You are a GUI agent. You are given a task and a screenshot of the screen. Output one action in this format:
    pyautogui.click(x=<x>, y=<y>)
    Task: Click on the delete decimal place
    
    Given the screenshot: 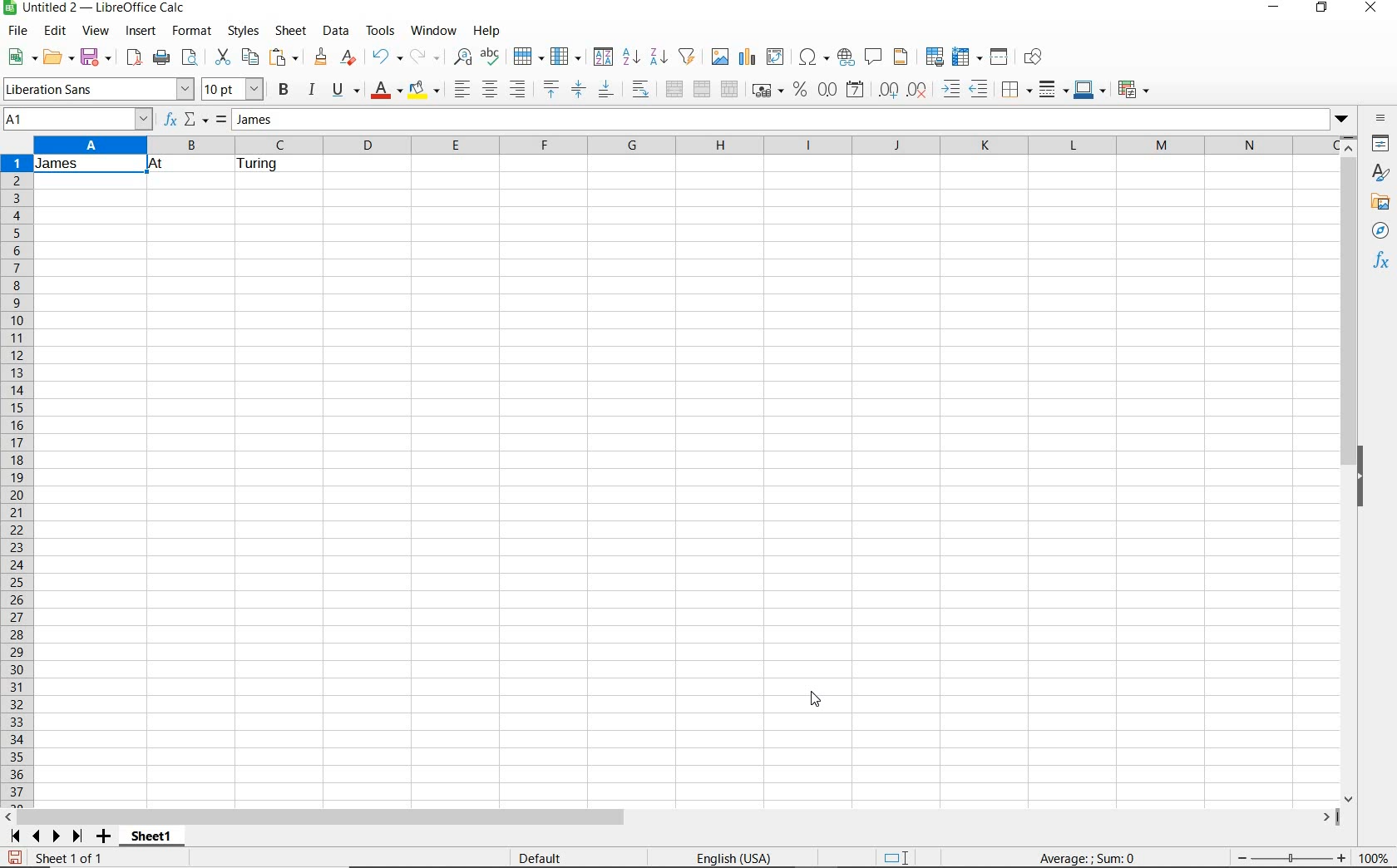 What is the action you would take?
    pyautogui.click(x=921, y=90)
    